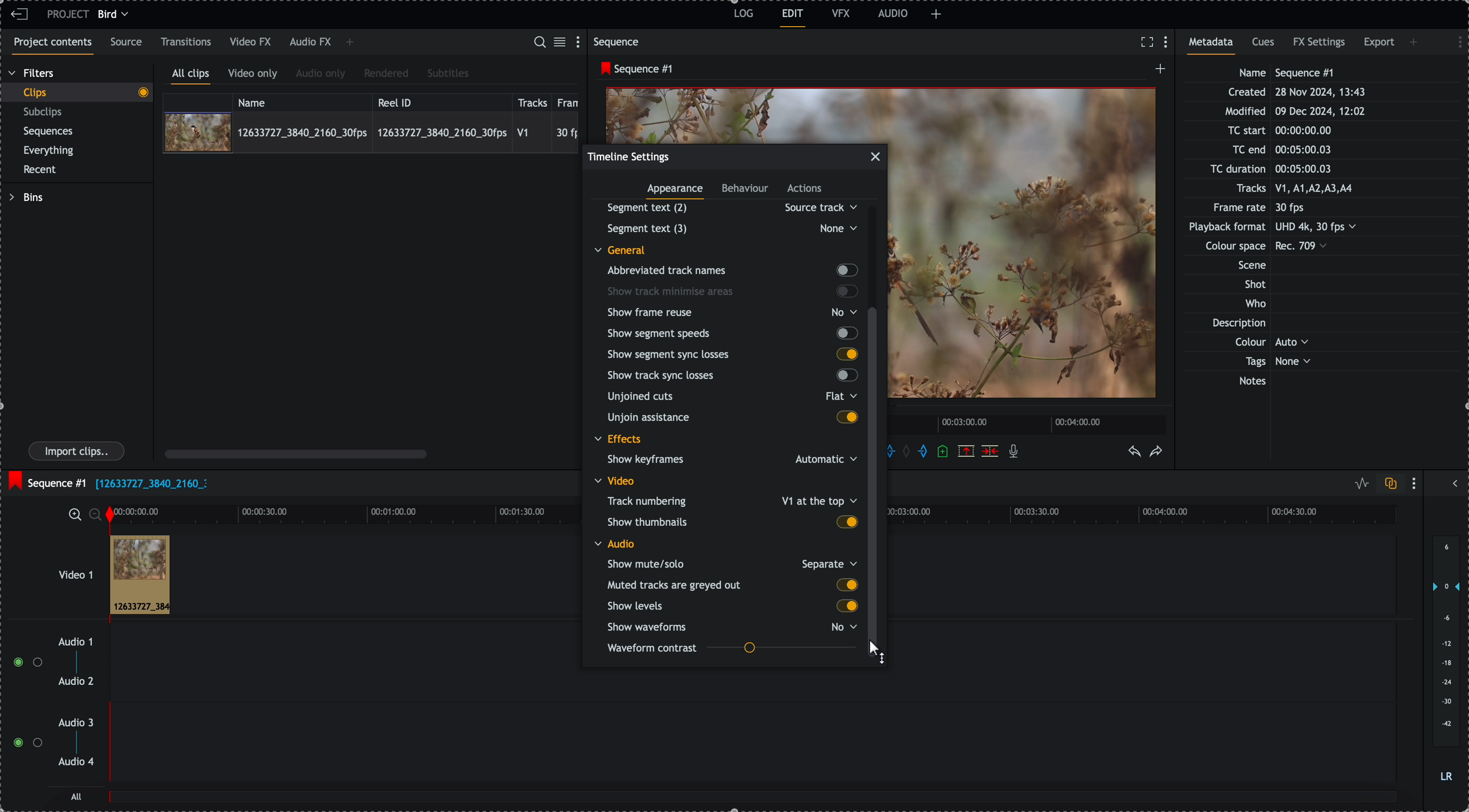 The image size is (1469, 812). I want to click on show segment speeds, so click(731, 333).